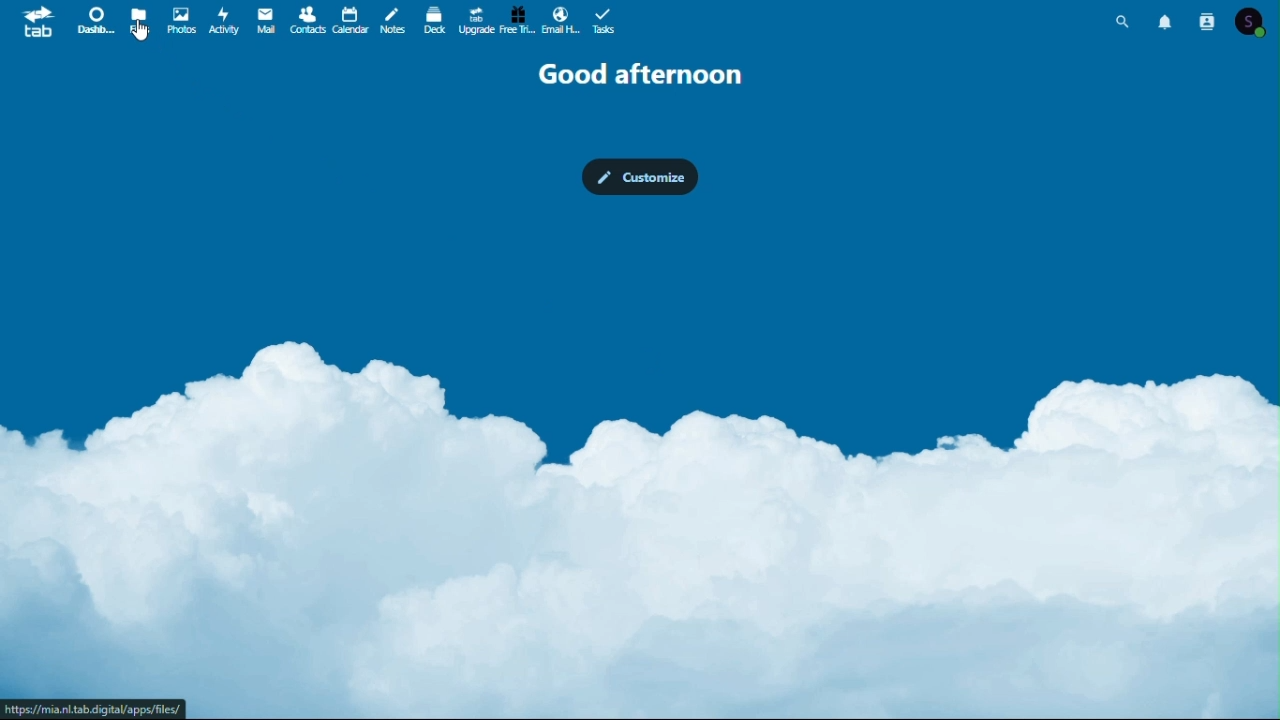 Image resolution: width=1280 pixels, height=720 pixels. Describe the element at coordinates (95, 708) in the screenshot. I see `URL` at that location.